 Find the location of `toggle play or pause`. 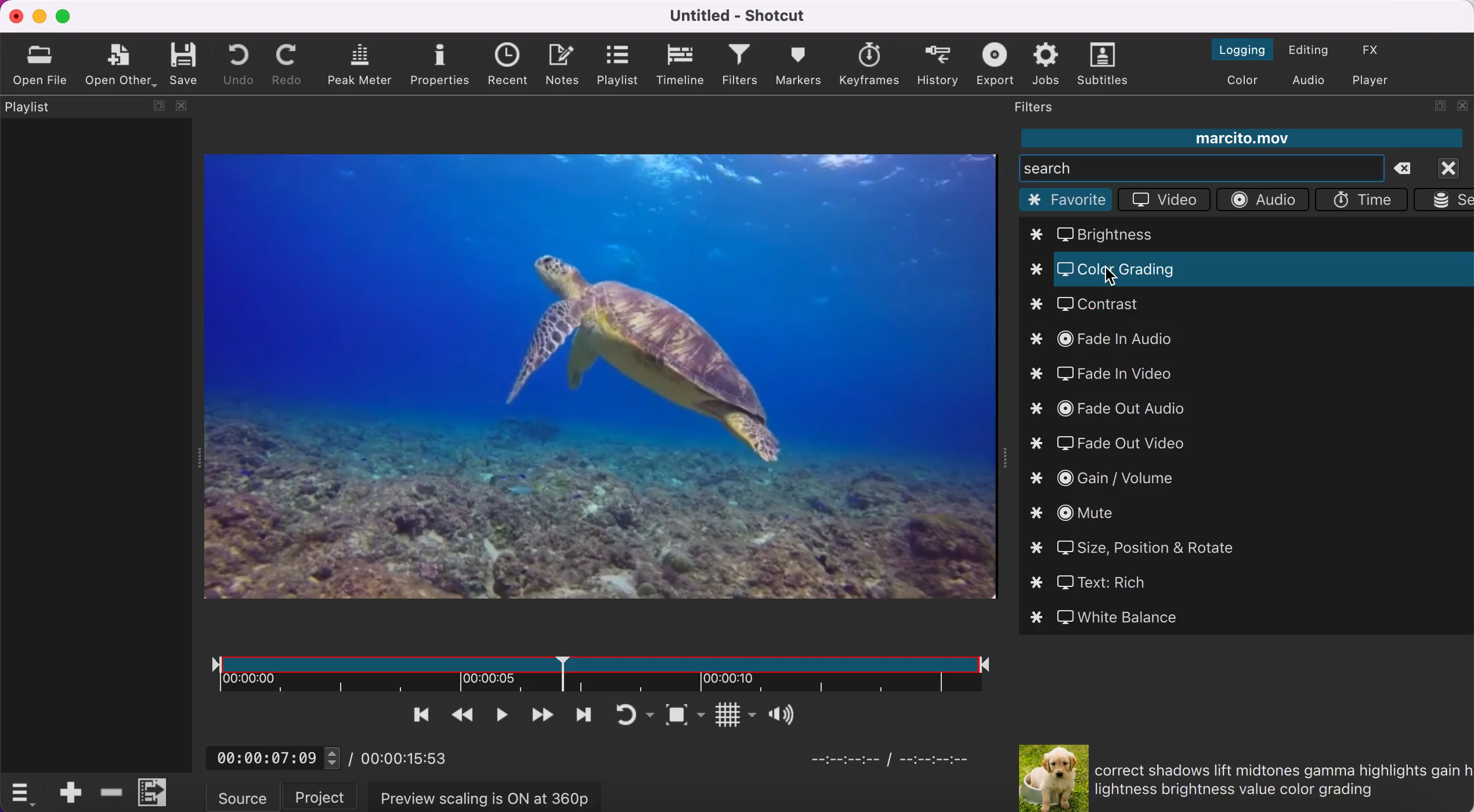

toggle play or pause is located at coordinates (499, 714).